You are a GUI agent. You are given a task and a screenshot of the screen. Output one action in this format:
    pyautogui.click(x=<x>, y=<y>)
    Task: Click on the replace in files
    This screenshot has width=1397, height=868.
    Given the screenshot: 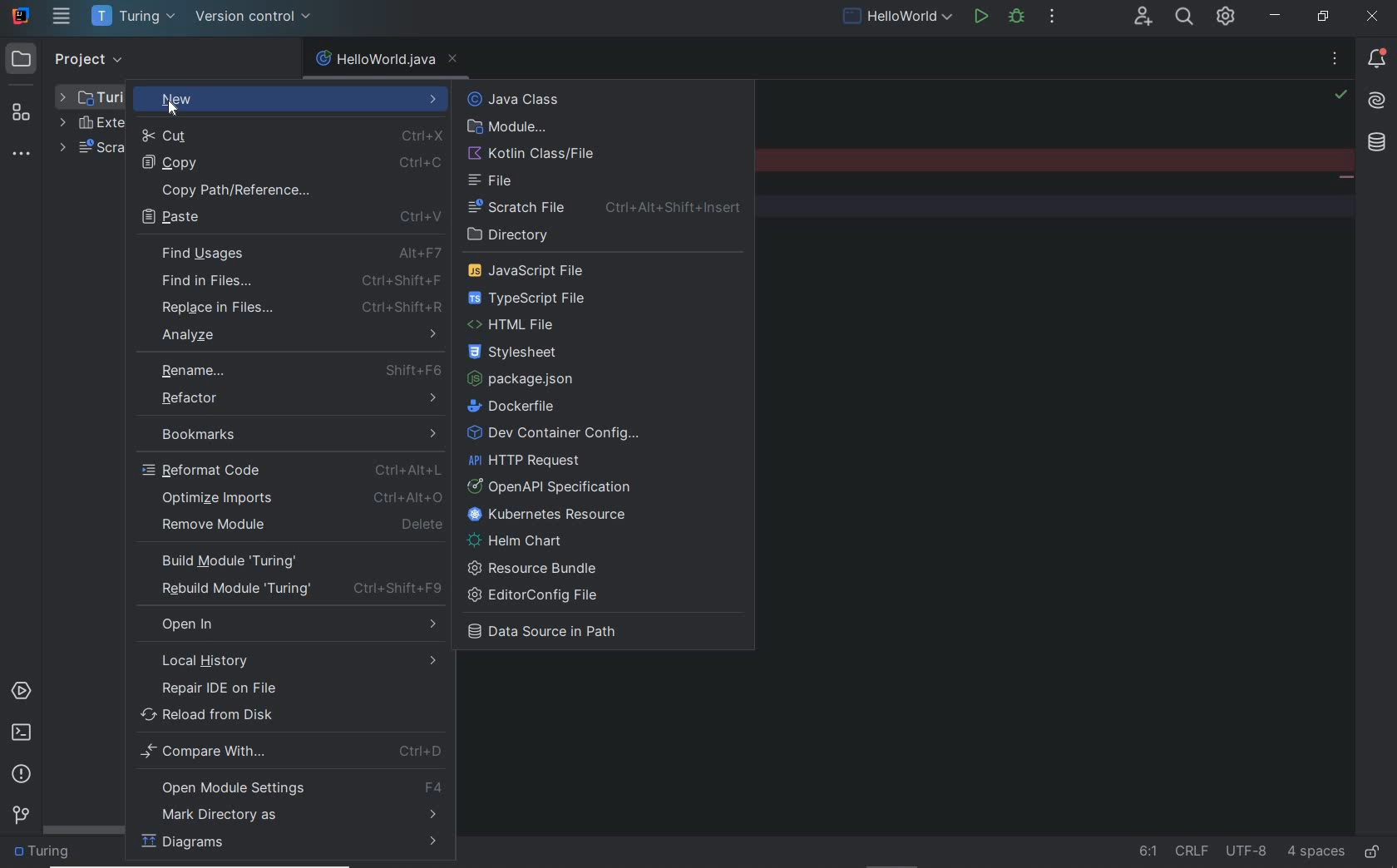 What is the action you would take?
    pyautogui.click(x=299, y=308)
    